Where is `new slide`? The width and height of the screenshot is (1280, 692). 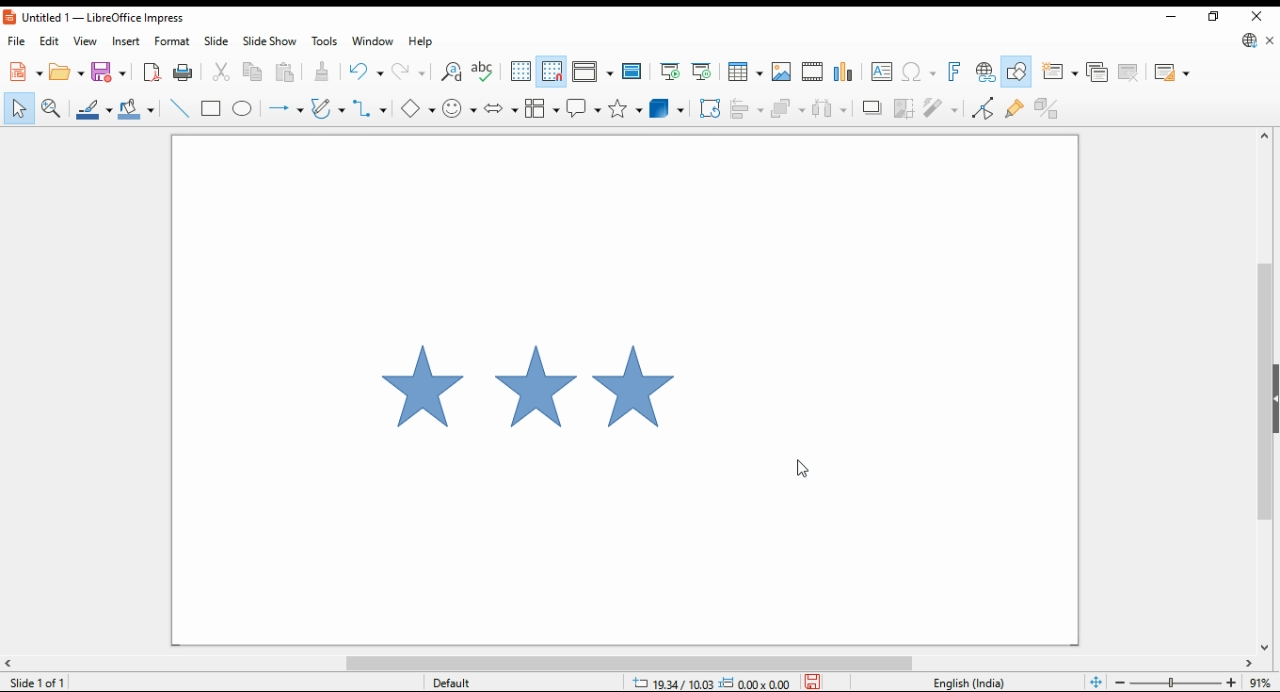
new slide is located at coordinates (1059, 72).